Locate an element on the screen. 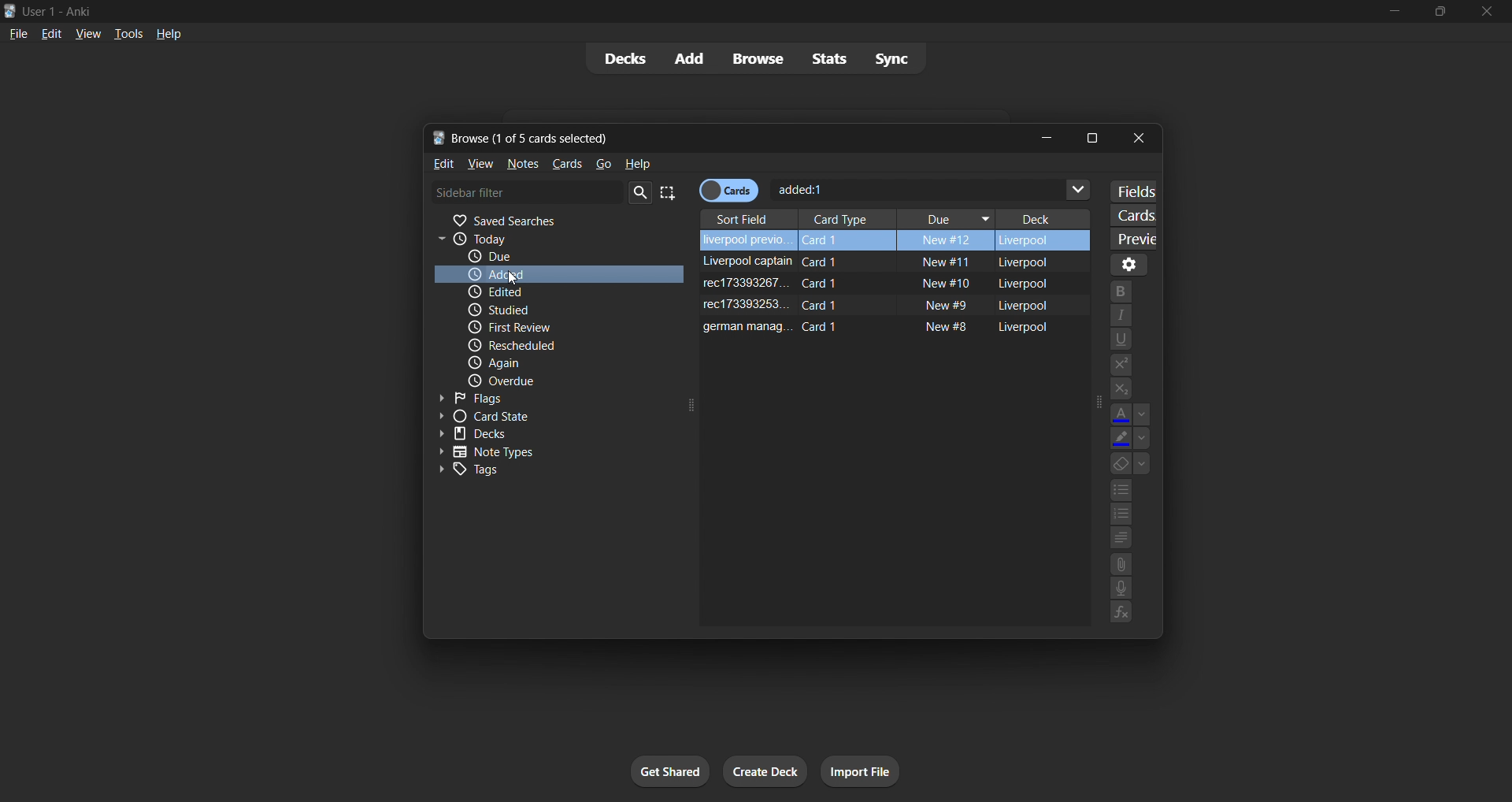 The width and height of the screenshot is (1512, 802). today filter is located at coordinates (540, 239).